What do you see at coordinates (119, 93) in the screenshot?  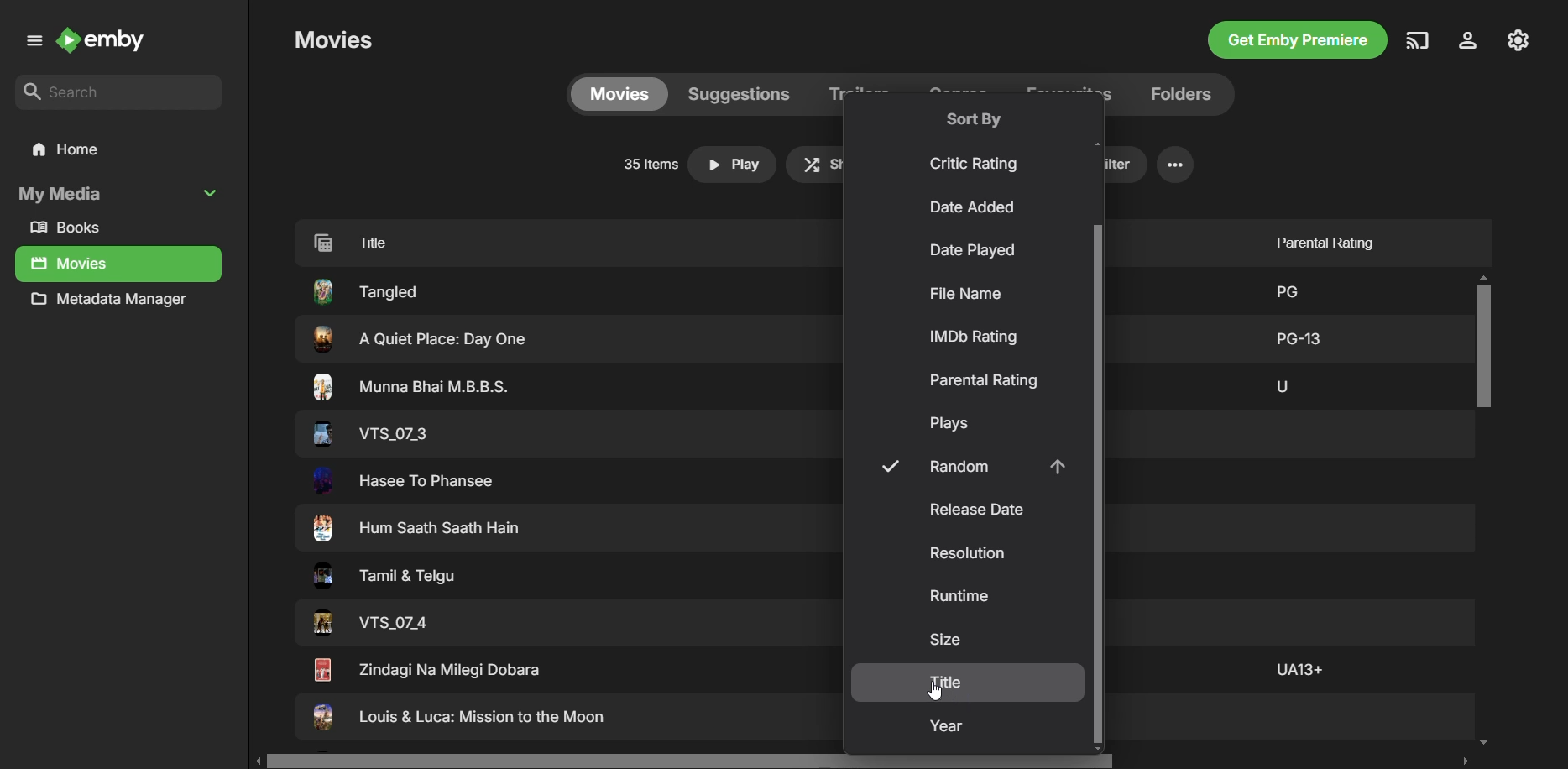 I see `Search` at bounding box center [119, 93].